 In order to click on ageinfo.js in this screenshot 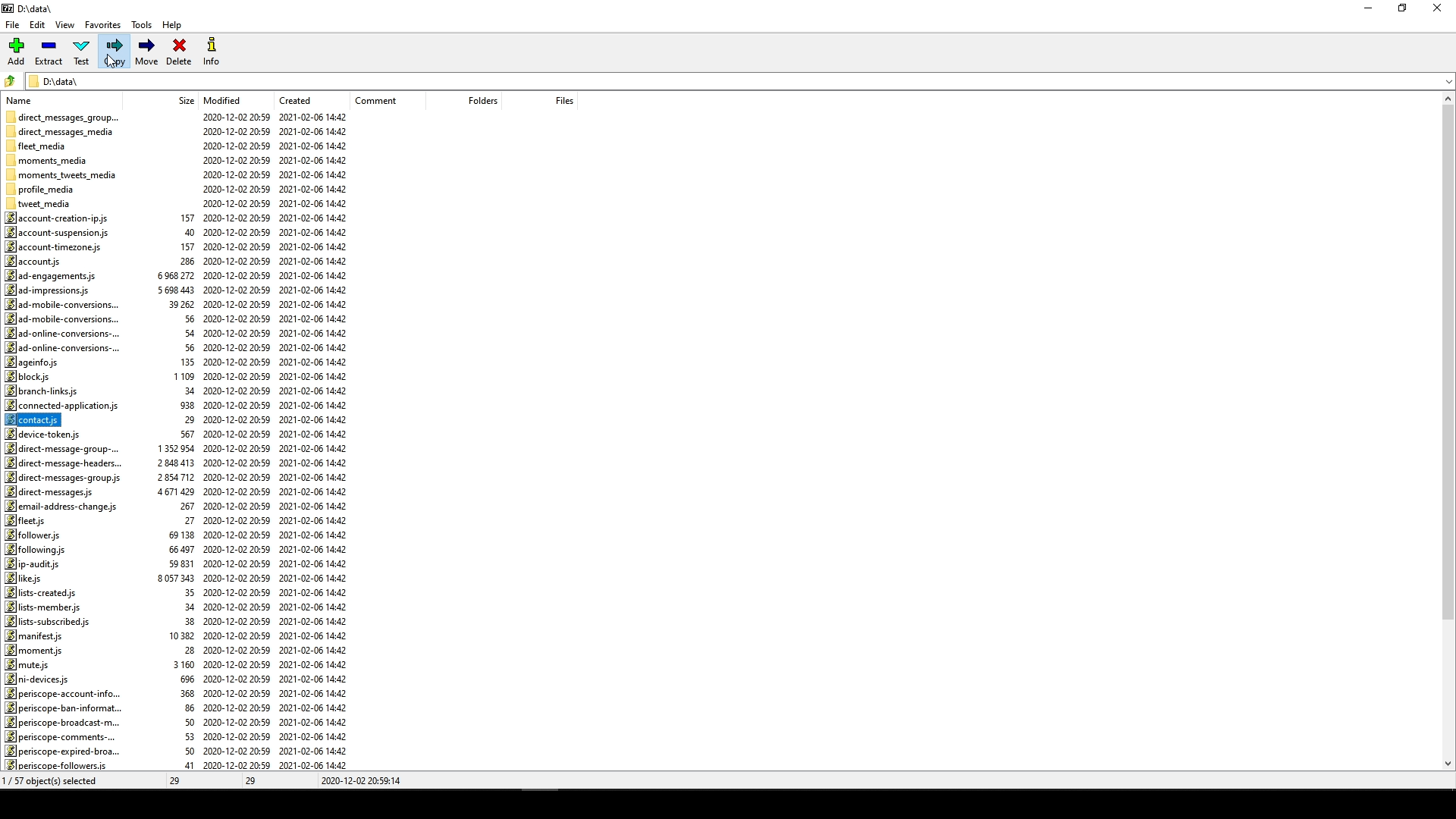, I will do `click(33, 362)`.